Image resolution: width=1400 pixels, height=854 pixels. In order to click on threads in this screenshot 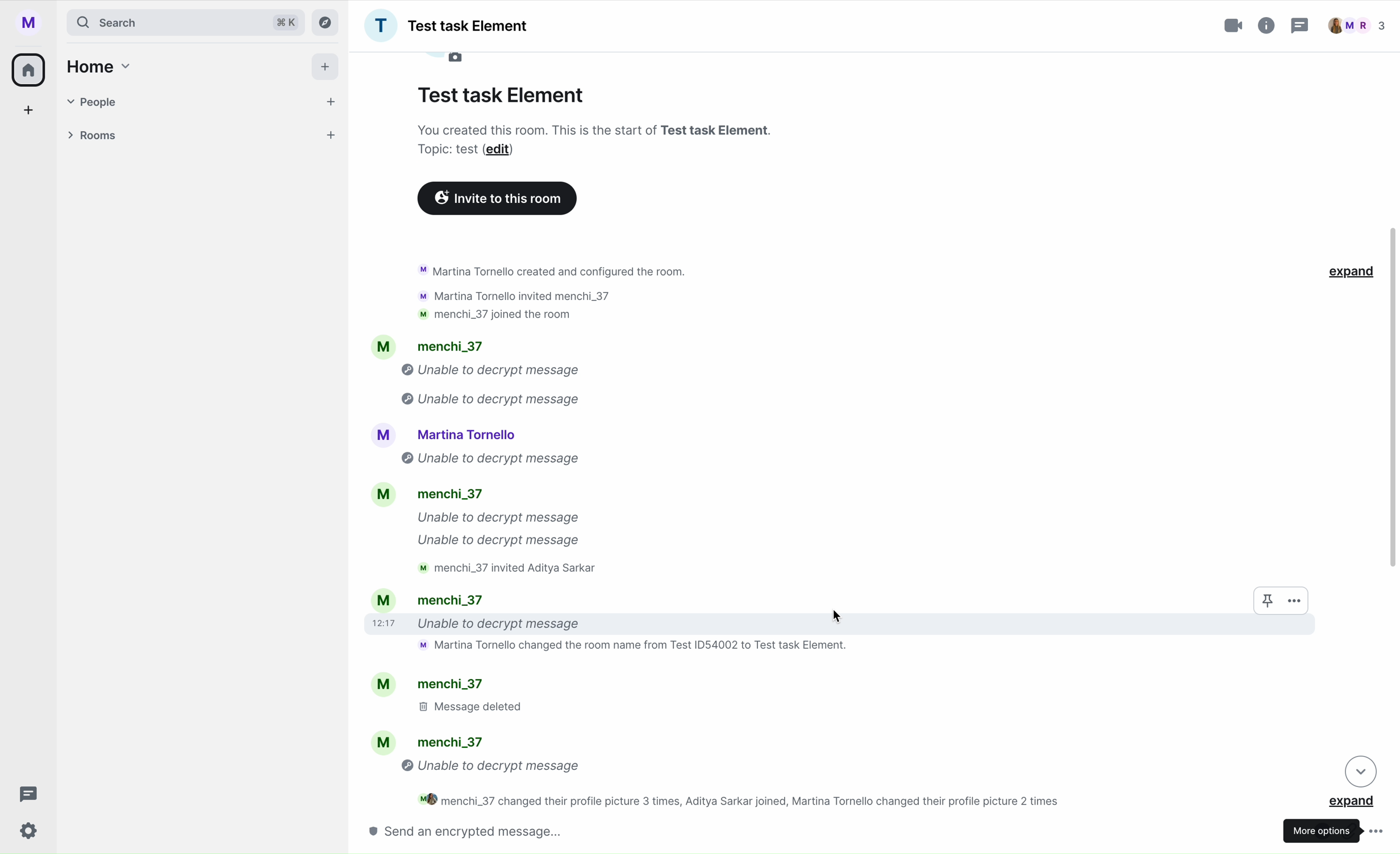, I will do `click(1298, 27)`.